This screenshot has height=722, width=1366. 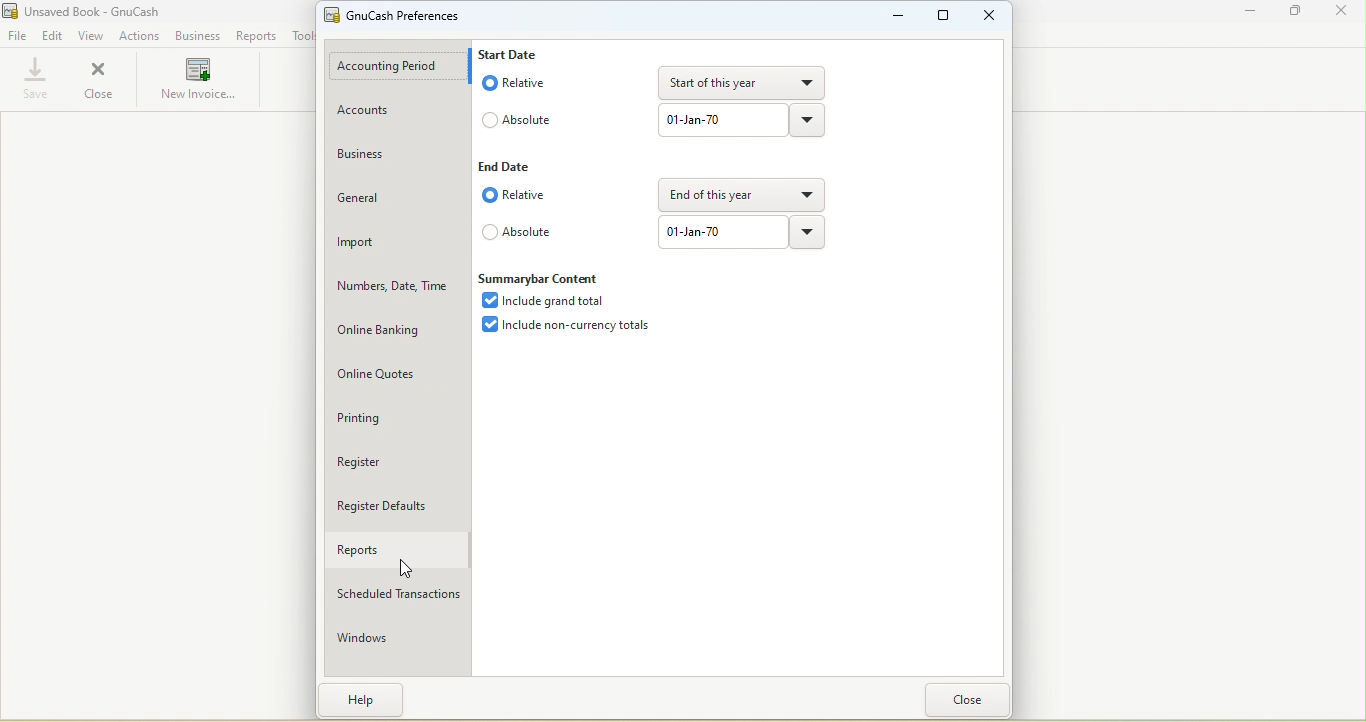 What do you see at coordinates (522, 234) in the screenshot?
I see `Absolute` at bounding box center [522, 234].